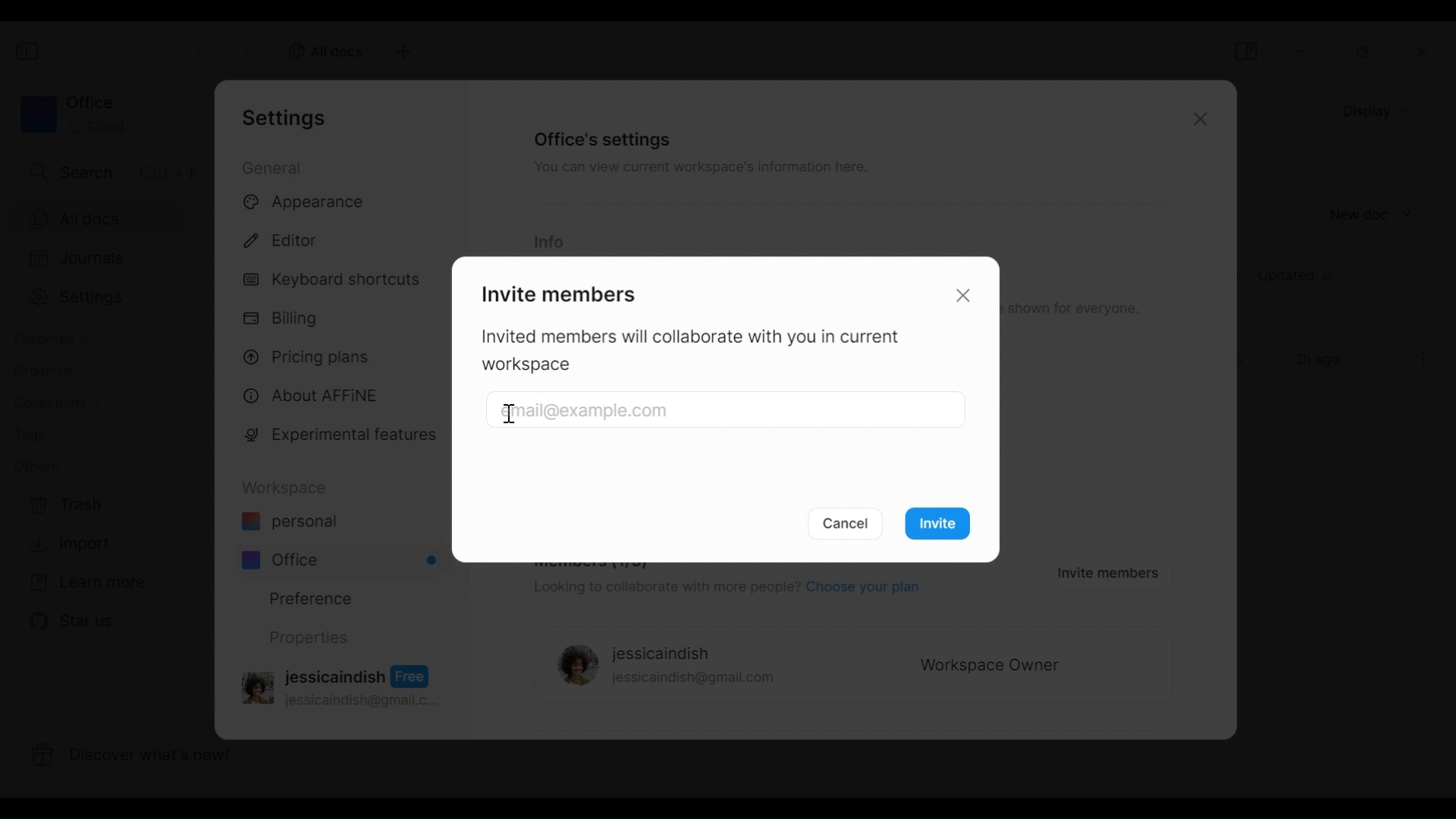 The width and height of the screenshot is (1456, 819). I want to click on invite, so click(943, 526).